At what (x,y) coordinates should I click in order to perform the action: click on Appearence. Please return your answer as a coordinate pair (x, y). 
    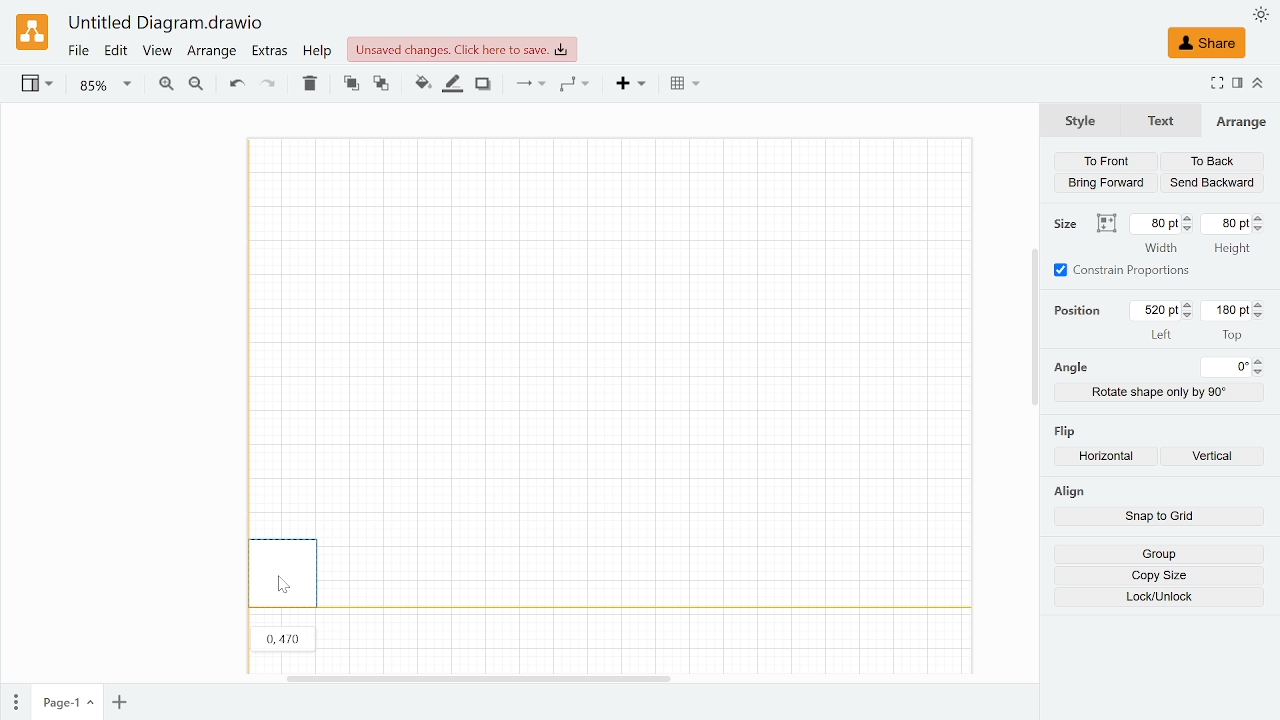
    Looking at the image, I should click on (1261, 15).